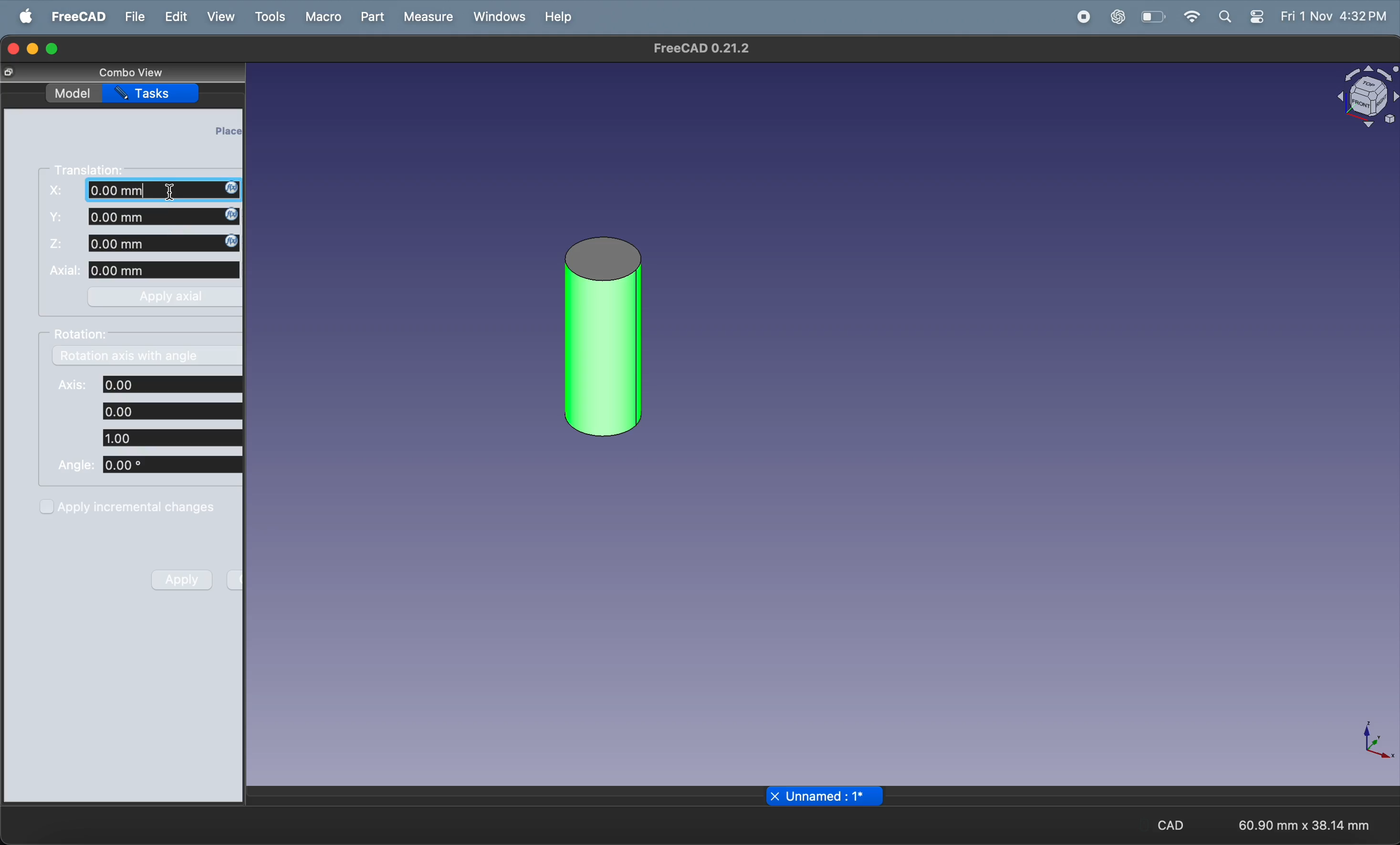 This screenshot has width=1400, height=845. I want to click on edit, so click(176, 16).